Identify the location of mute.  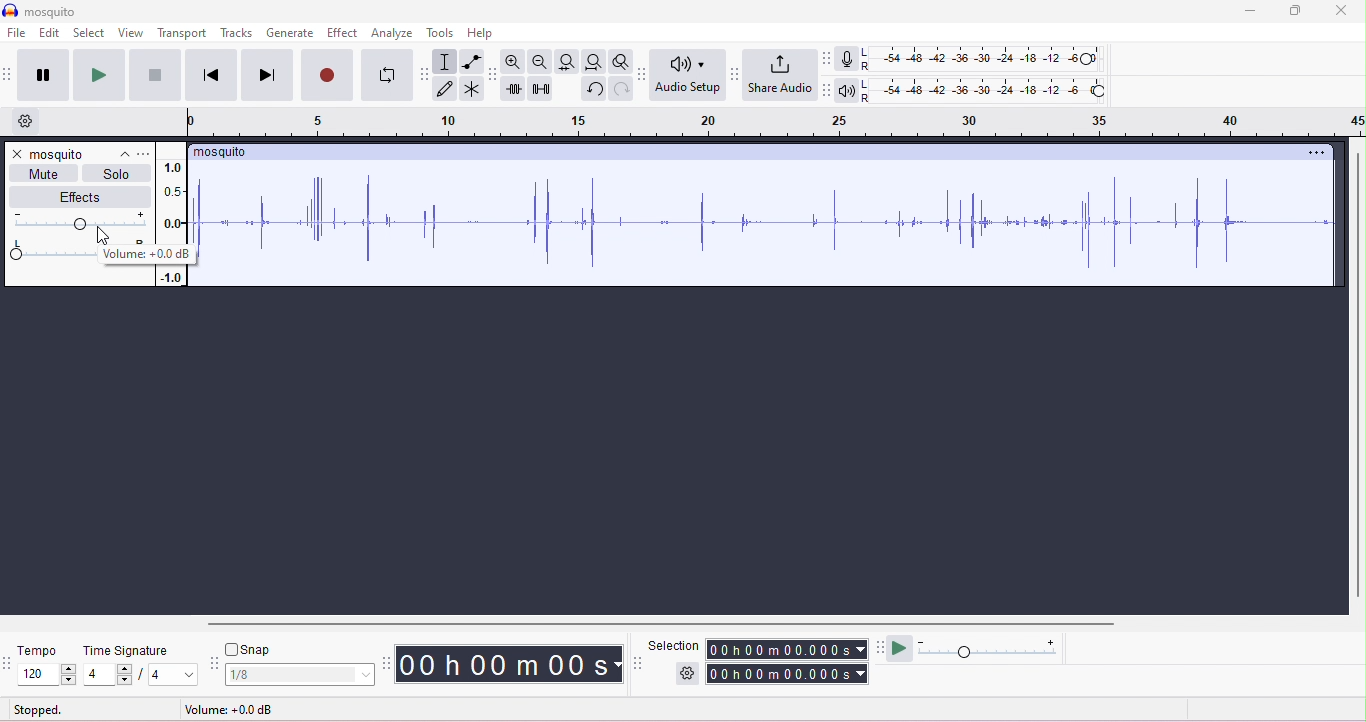
(45, 173).